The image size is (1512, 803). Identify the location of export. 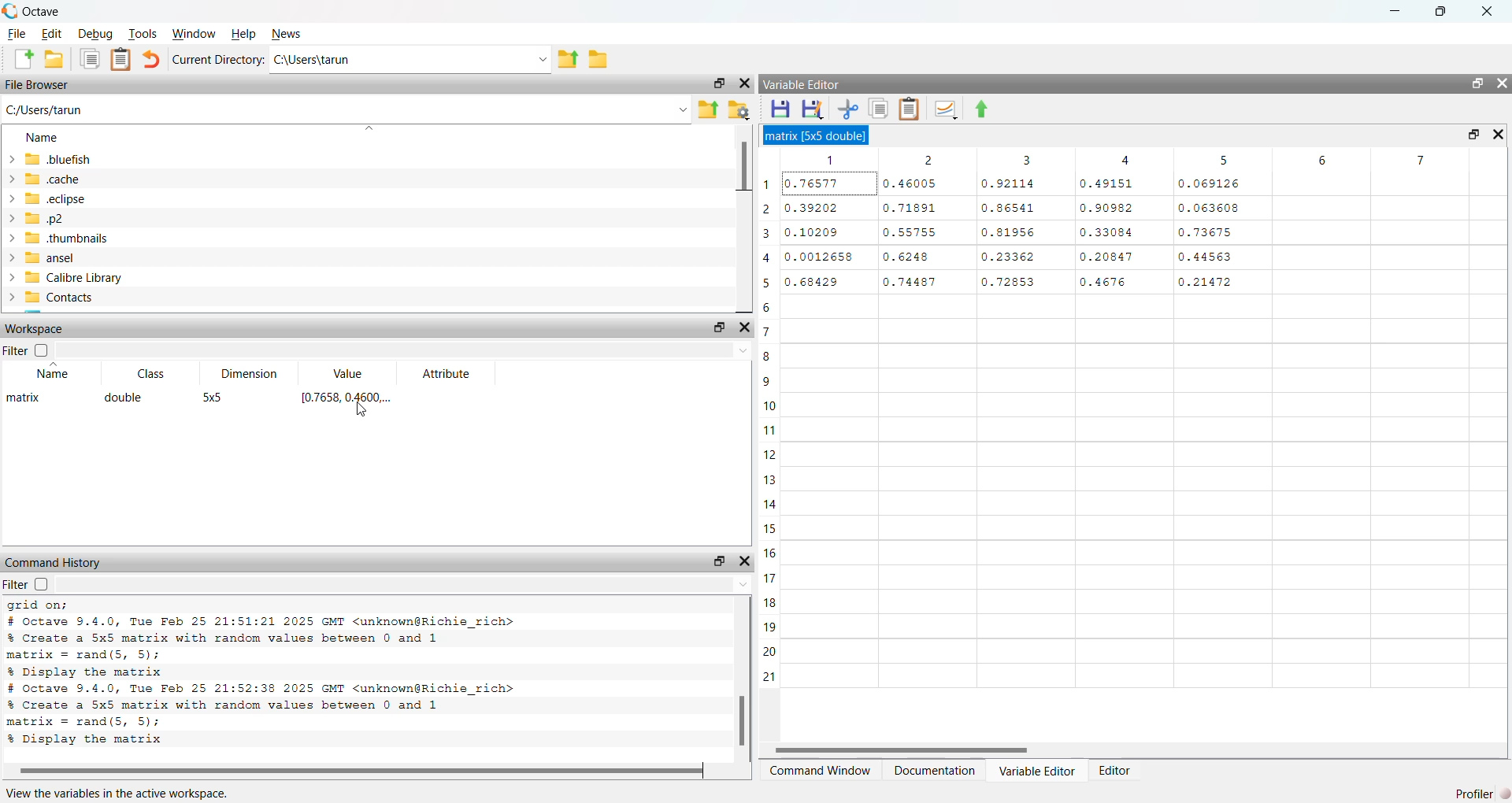
(993, 110).